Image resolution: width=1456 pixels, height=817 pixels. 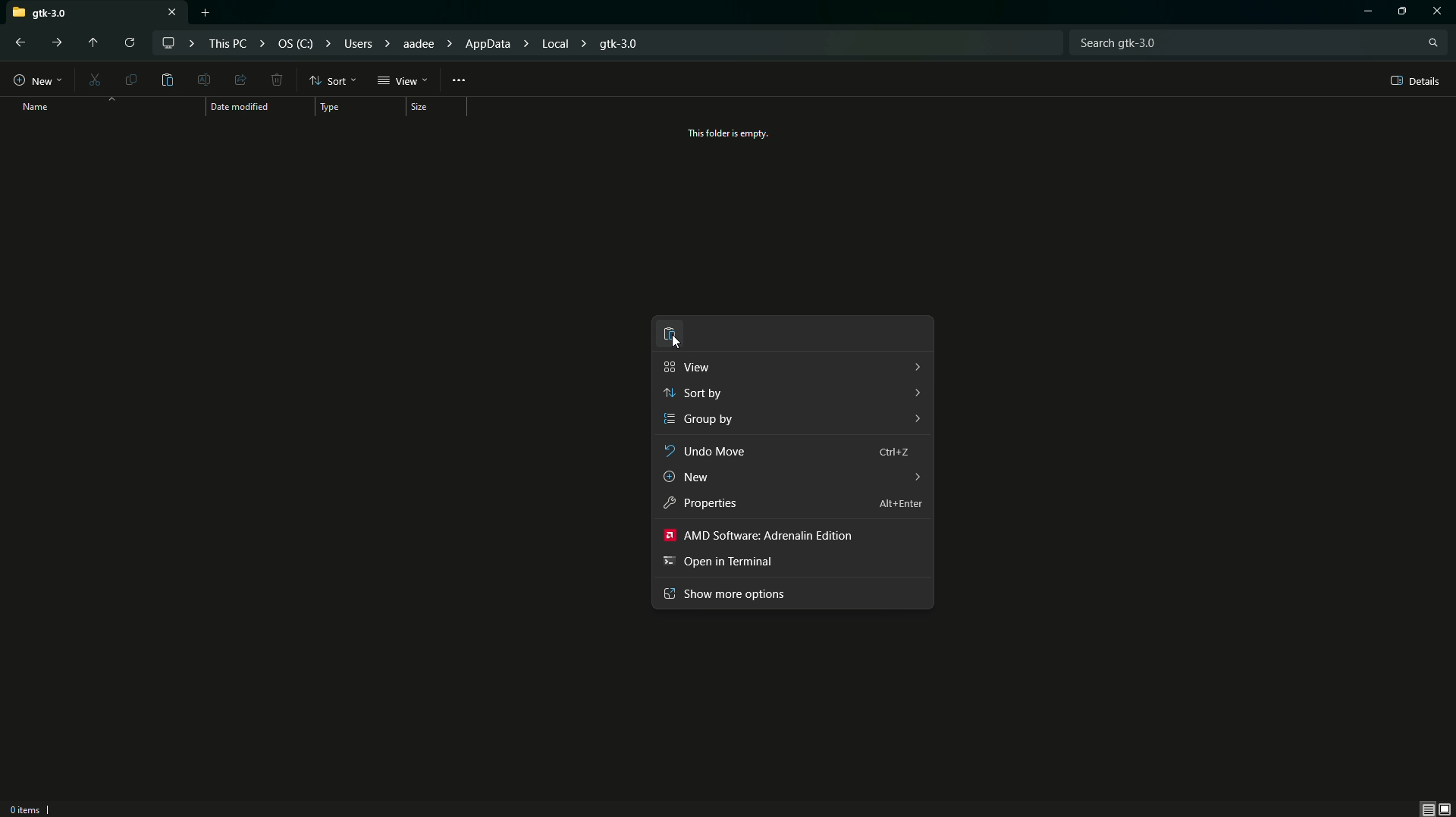 I want to click on Search bar, so click(x=1258, y=41).